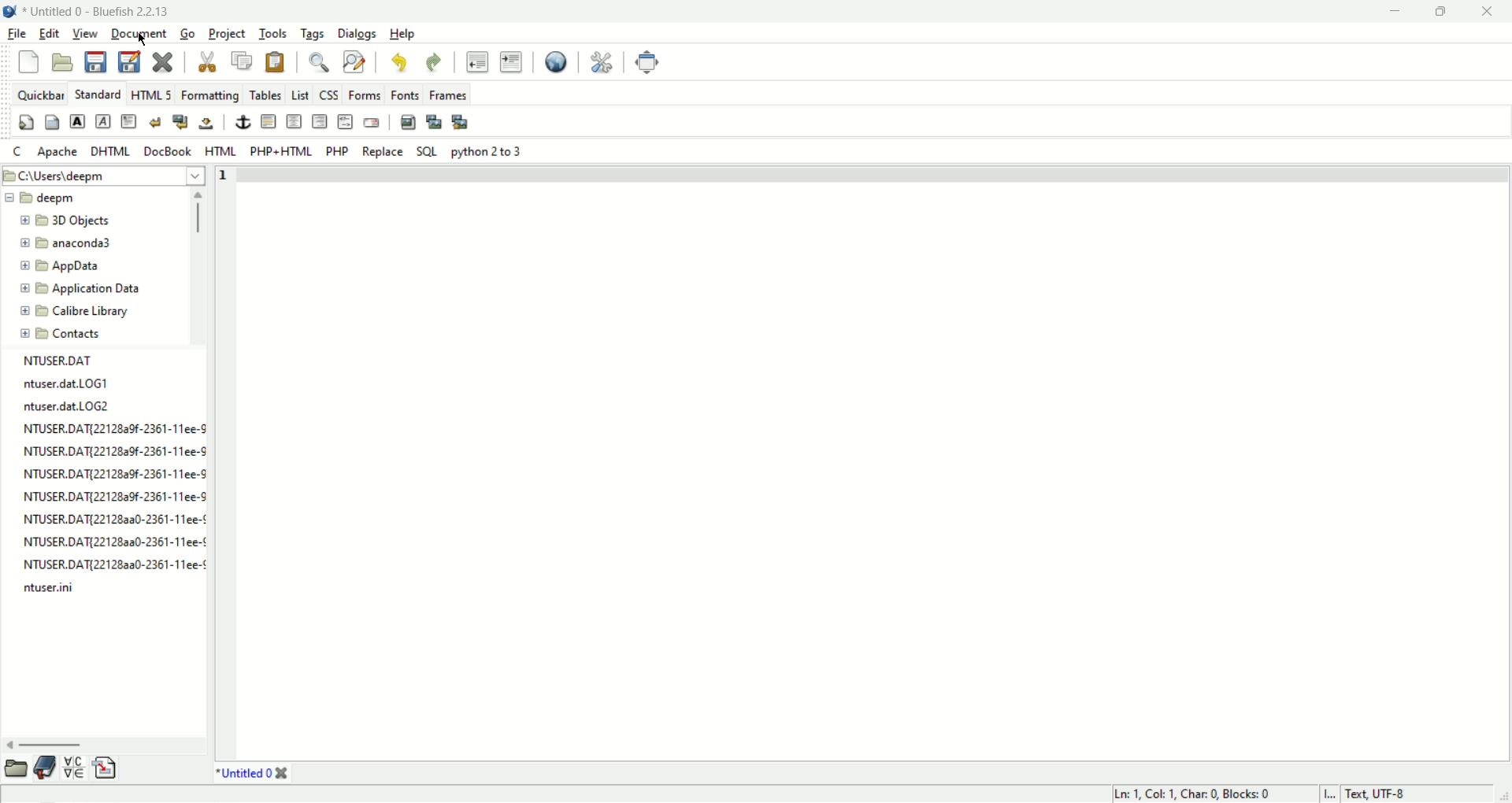 This screenshot has width=1512, height=803. I want to click on folder name, so click(85, 287).